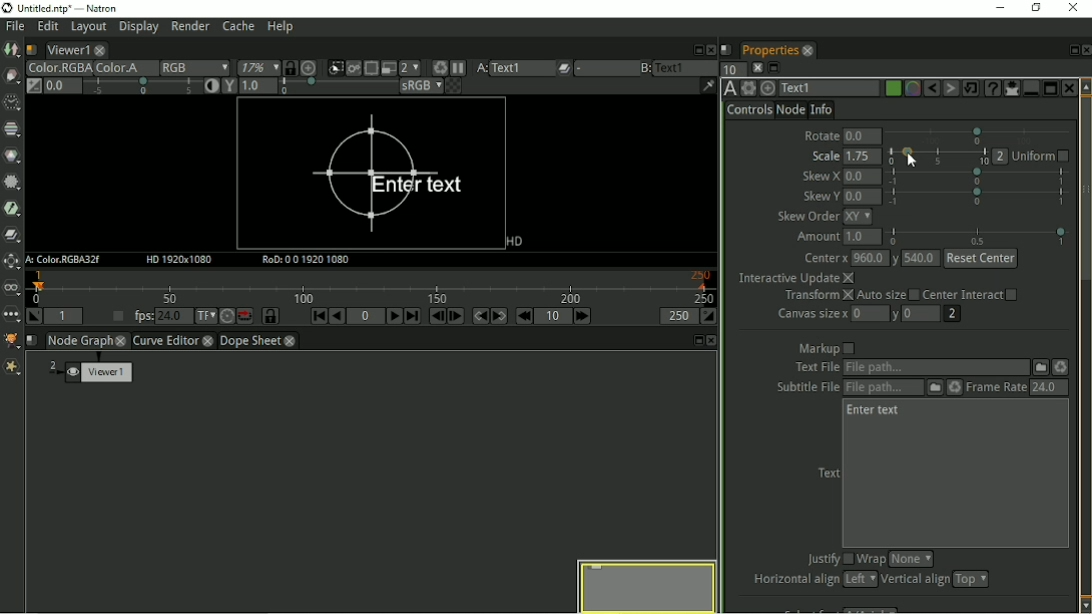 This screenshot has height=614, width=1092. I want to click on File, so click(17, 27).